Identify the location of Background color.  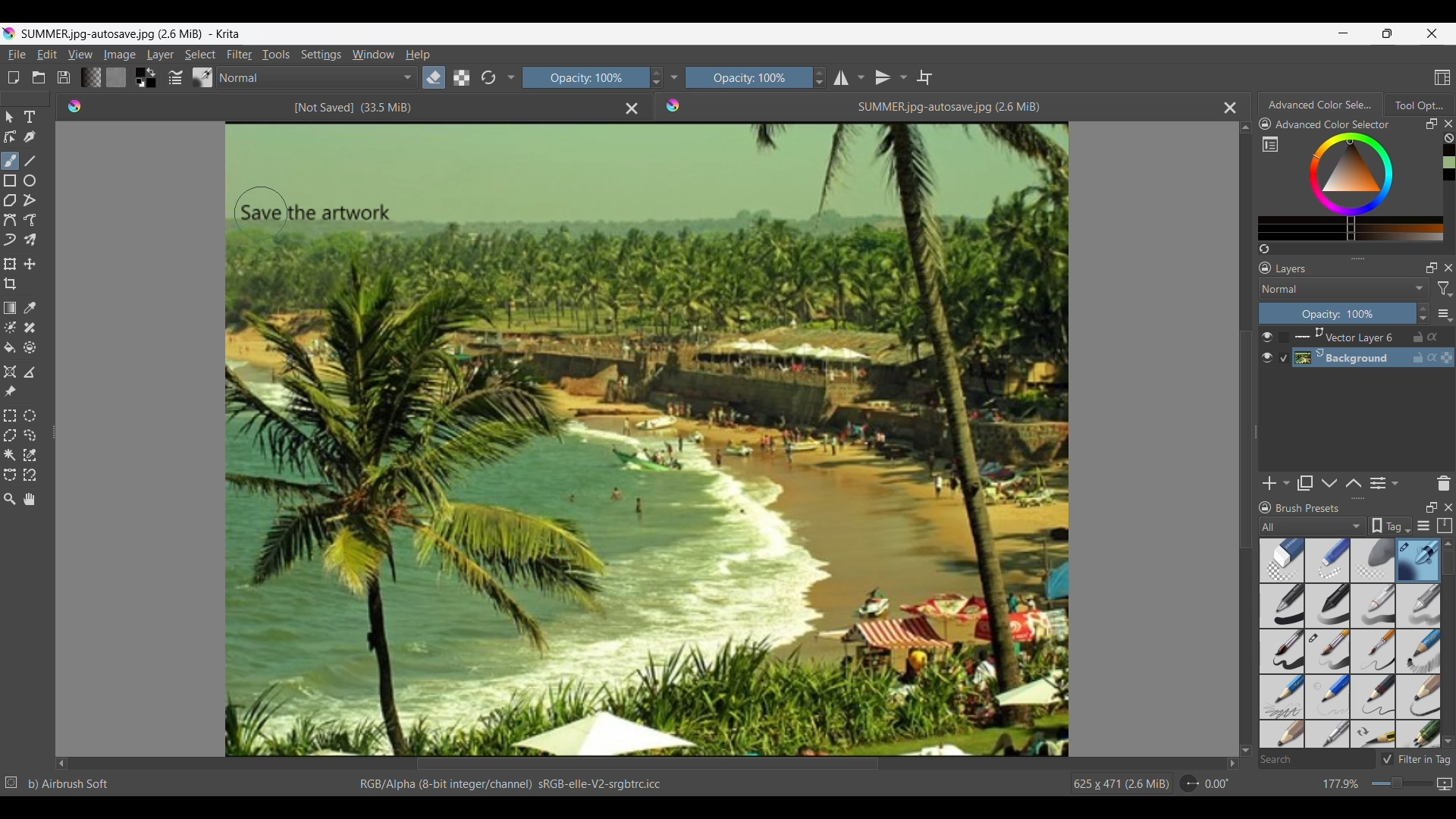
(152, 83).